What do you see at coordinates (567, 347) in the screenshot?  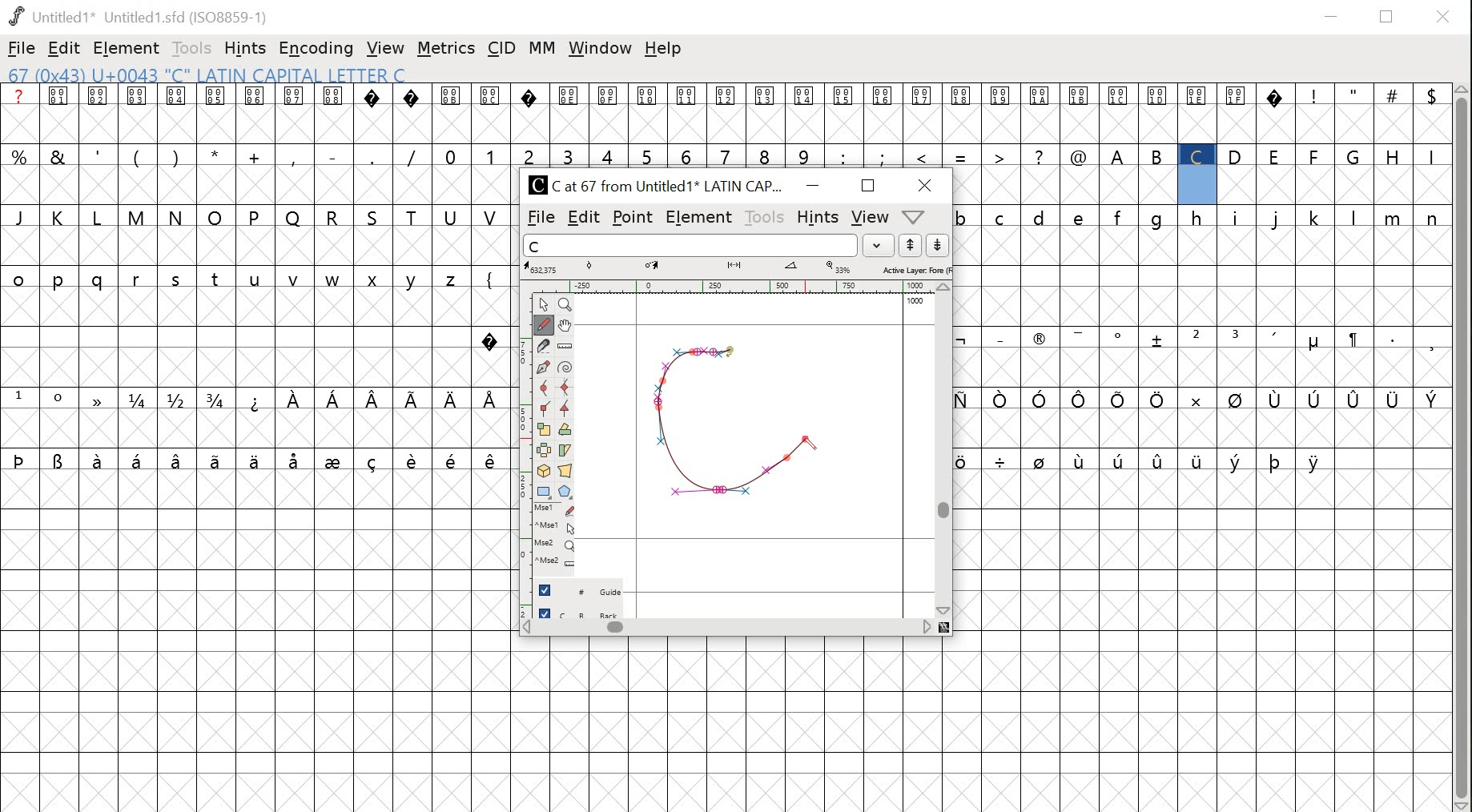 I see `ruler` at bounding box center [567, 347].